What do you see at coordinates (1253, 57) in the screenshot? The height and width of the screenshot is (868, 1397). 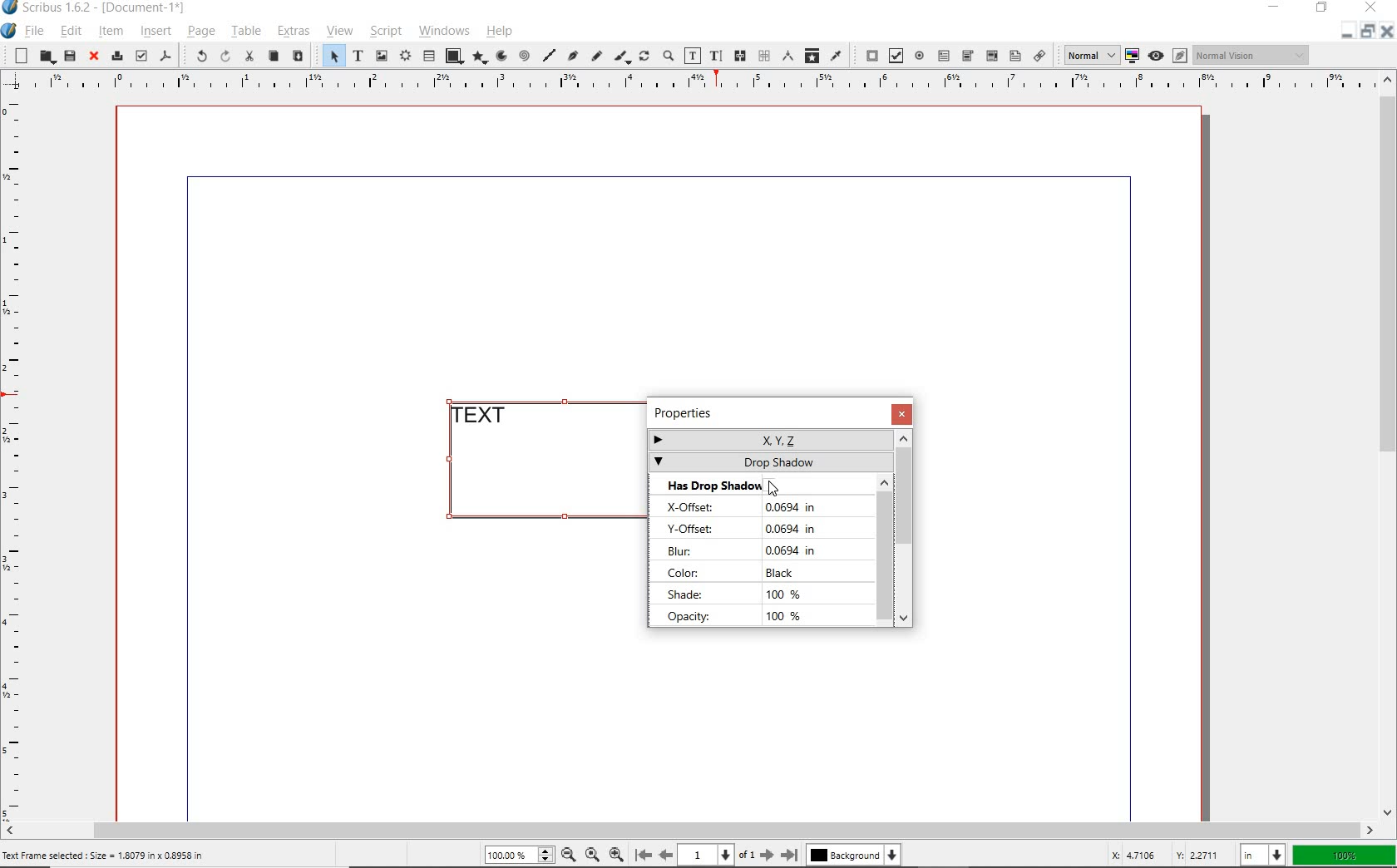 I see `Normal Vision` at bounding box center [1253, 57].